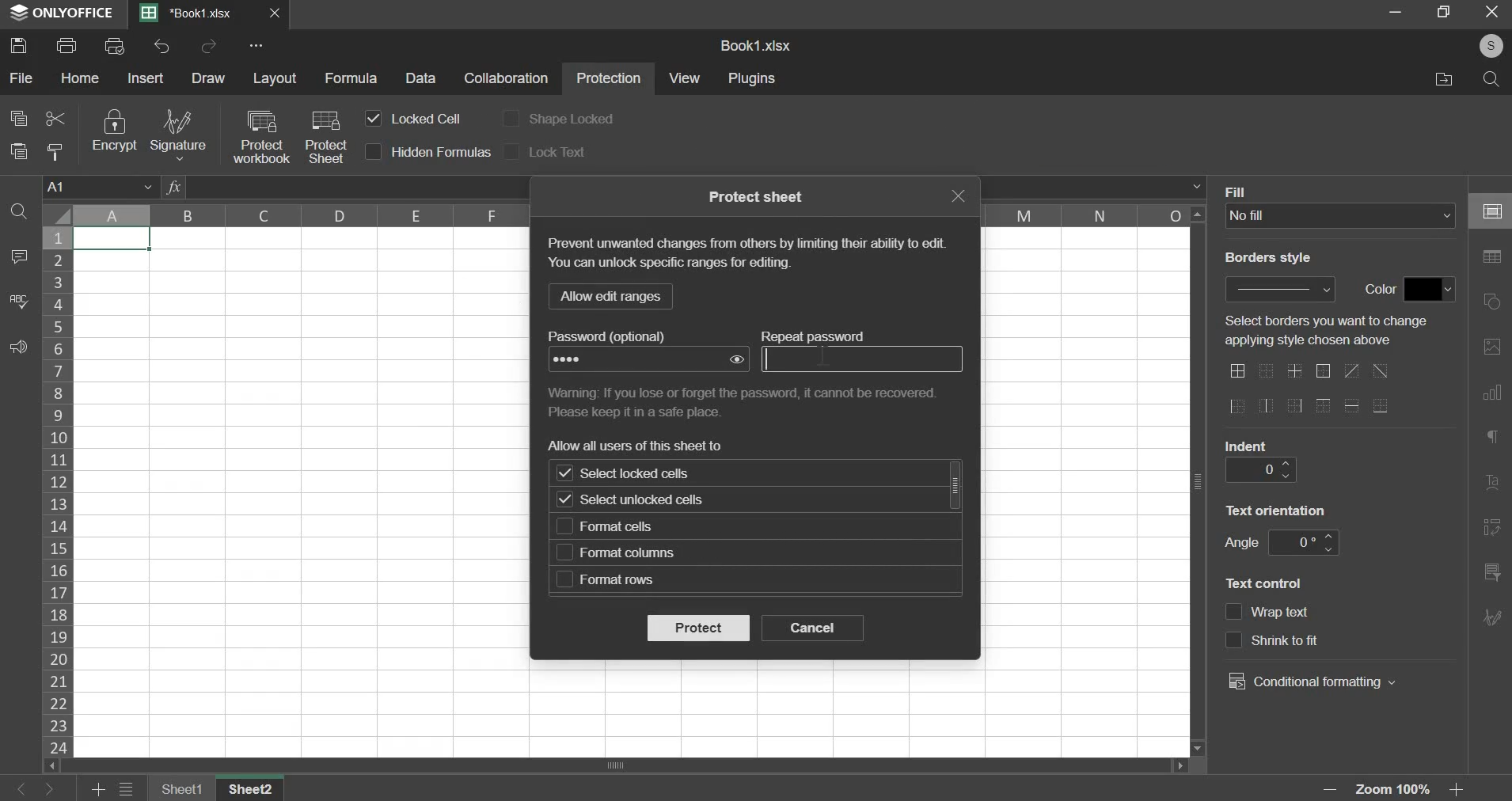 The height and width of the screenshot is (801, 1512). What do you see at coordinates (1445, 11) in the screenshot?
I see `Minimise` at bounding box center [1445, 11].